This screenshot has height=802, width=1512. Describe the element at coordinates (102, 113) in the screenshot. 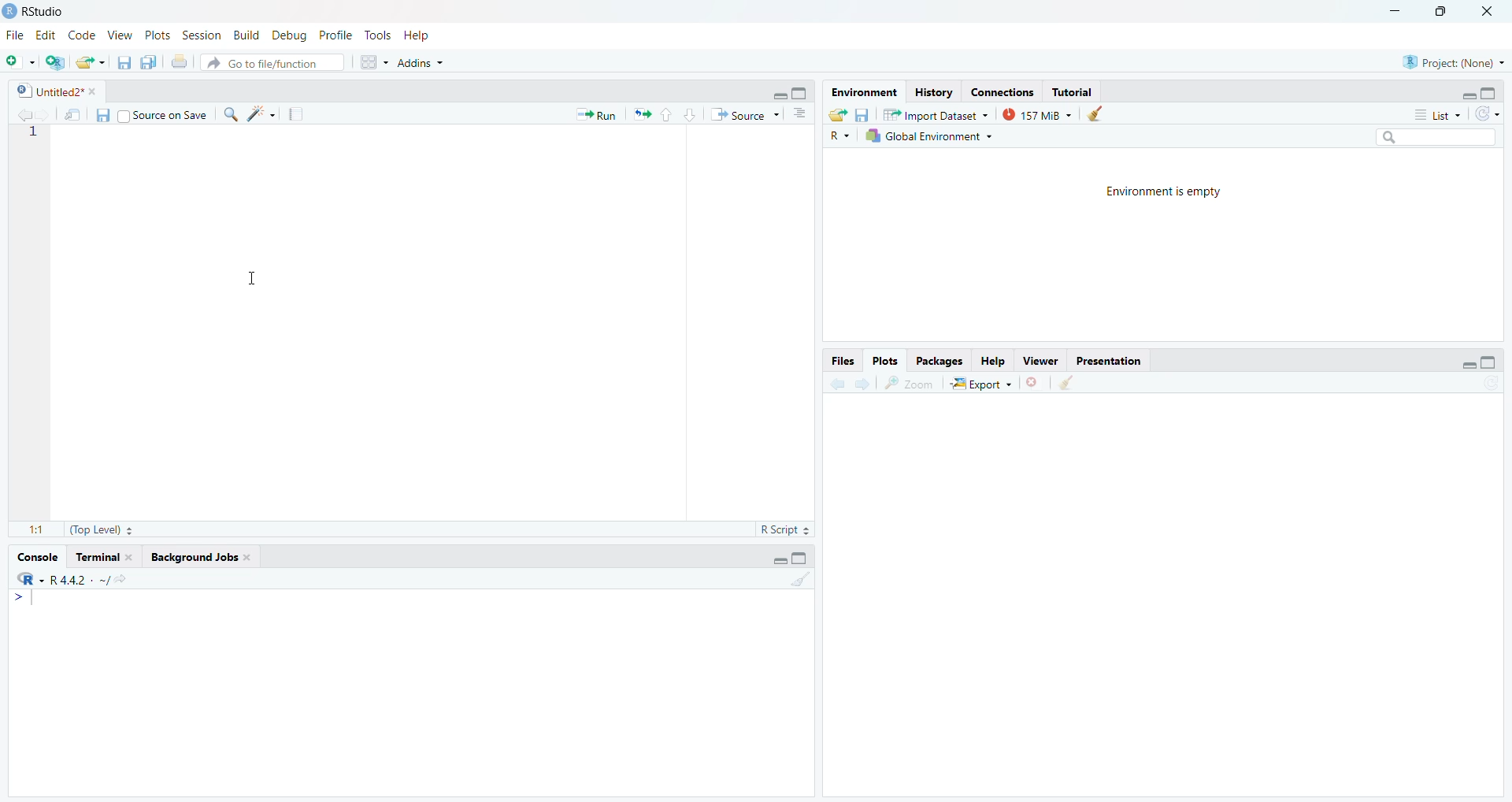

I see `save current document` at that location.